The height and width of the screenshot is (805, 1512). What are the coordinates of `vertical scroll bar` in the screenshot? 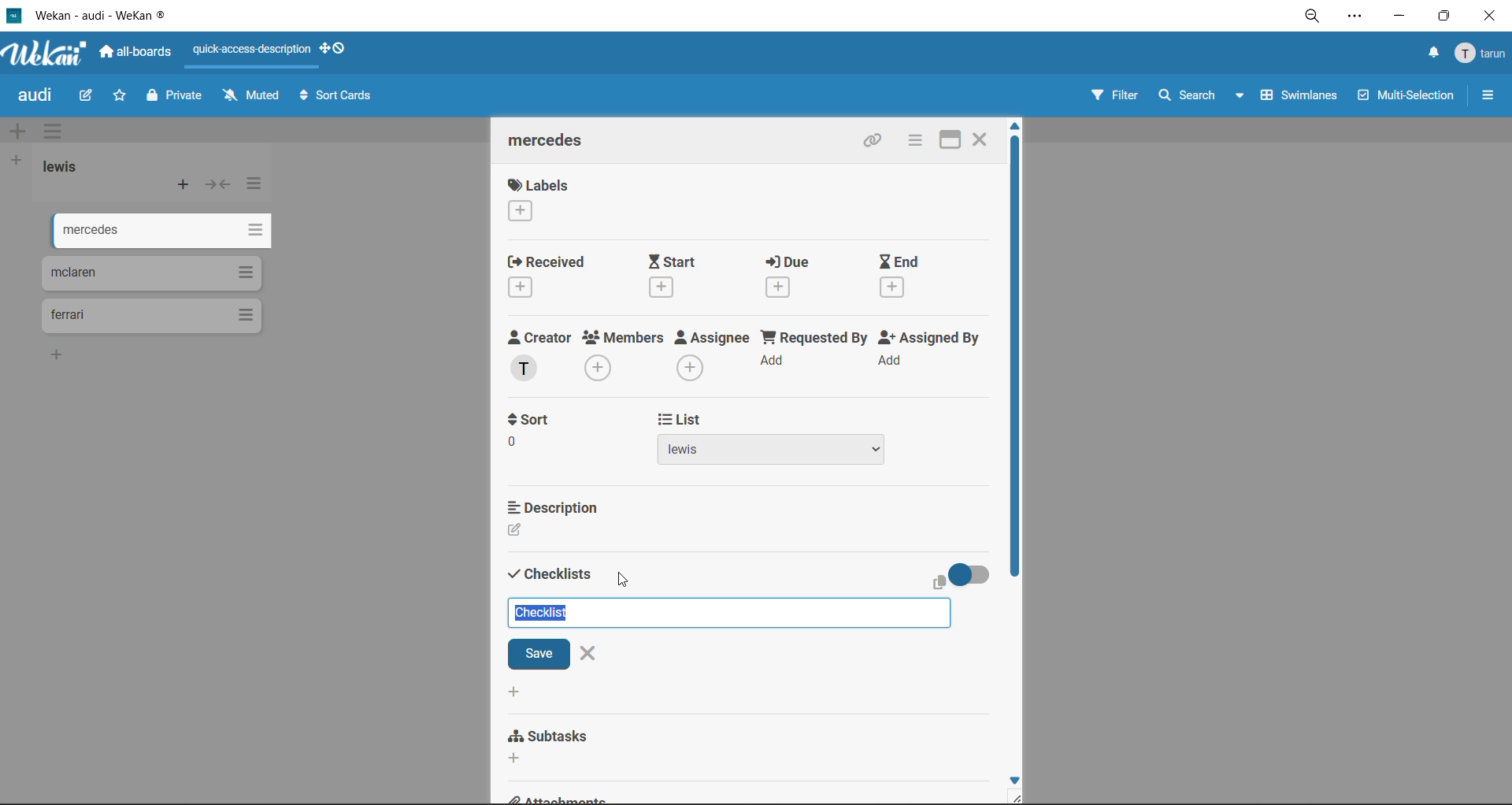 It's located at (1014, 359).